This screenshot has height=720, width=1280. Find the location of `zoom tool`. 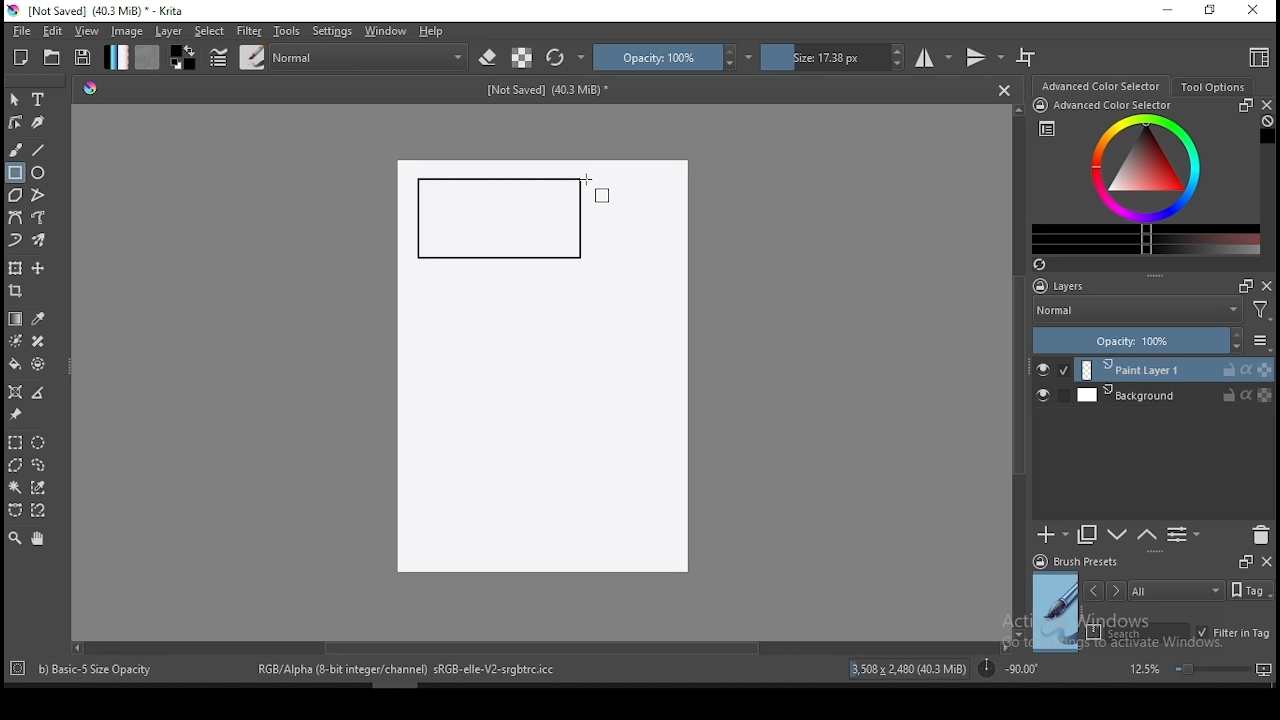

zoom tool is located at coordinates (15, 537).